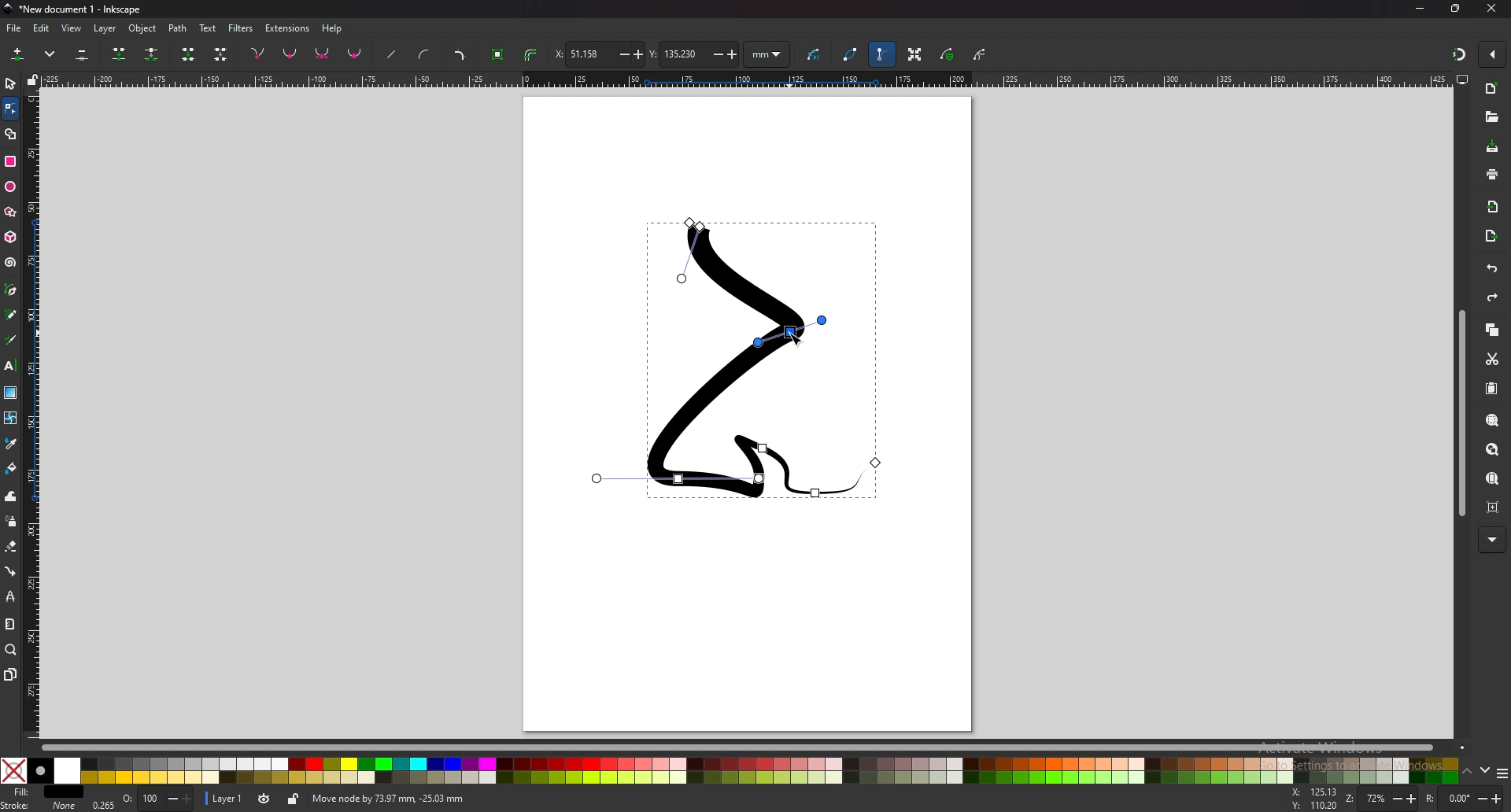 The image size is (1511, 812). What do you see at coordinates (11, 366) in the screenshot?
I see `text` at bounding box center [11, 366].